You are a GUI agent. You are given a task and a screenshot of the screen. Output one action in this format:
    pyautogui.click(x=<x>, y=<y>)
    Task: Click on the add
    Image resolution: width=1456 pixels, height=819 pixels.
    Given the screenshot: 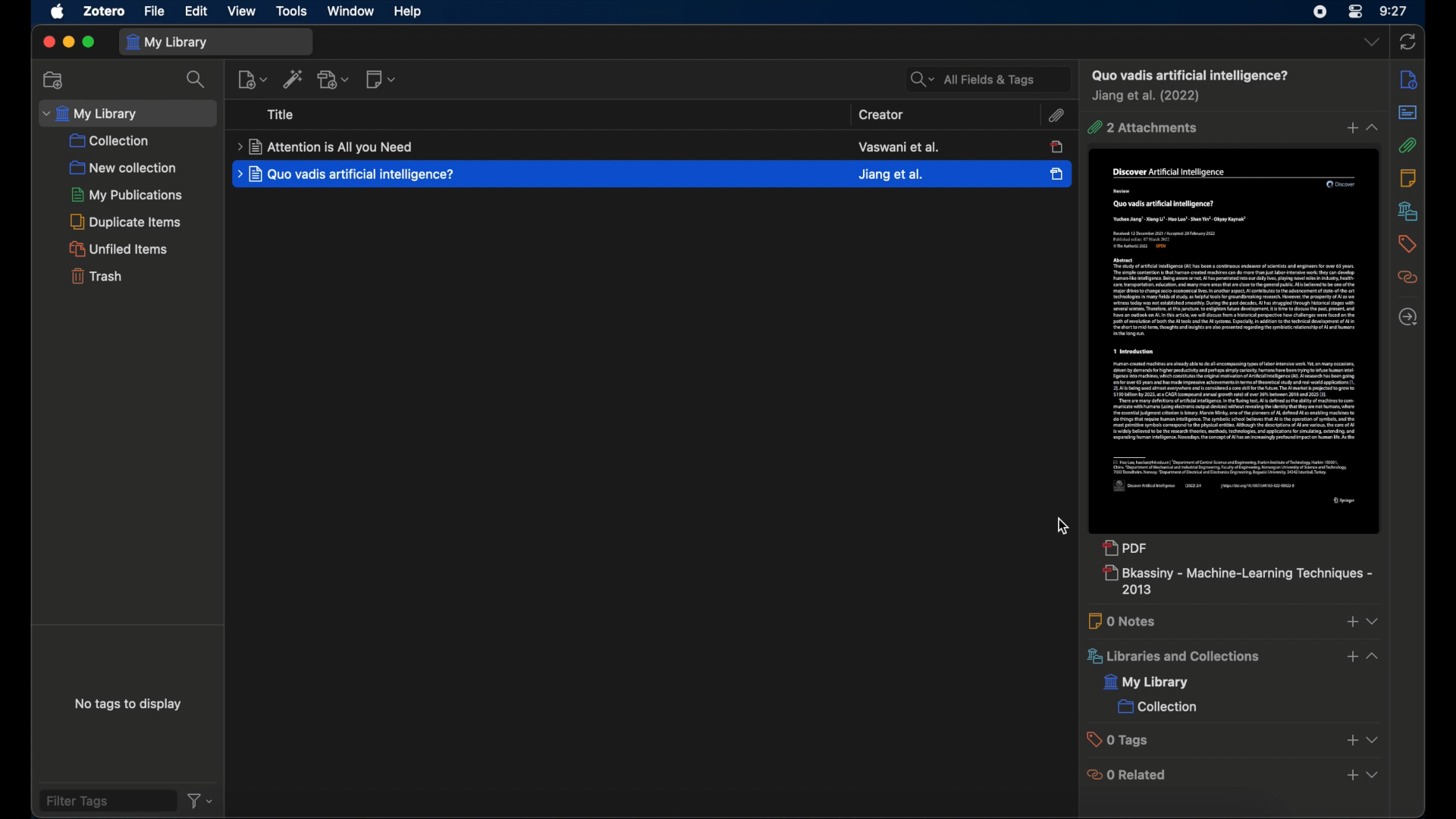 What is the action you would take?
    pyautogui.click(x=1352, y=738)
    